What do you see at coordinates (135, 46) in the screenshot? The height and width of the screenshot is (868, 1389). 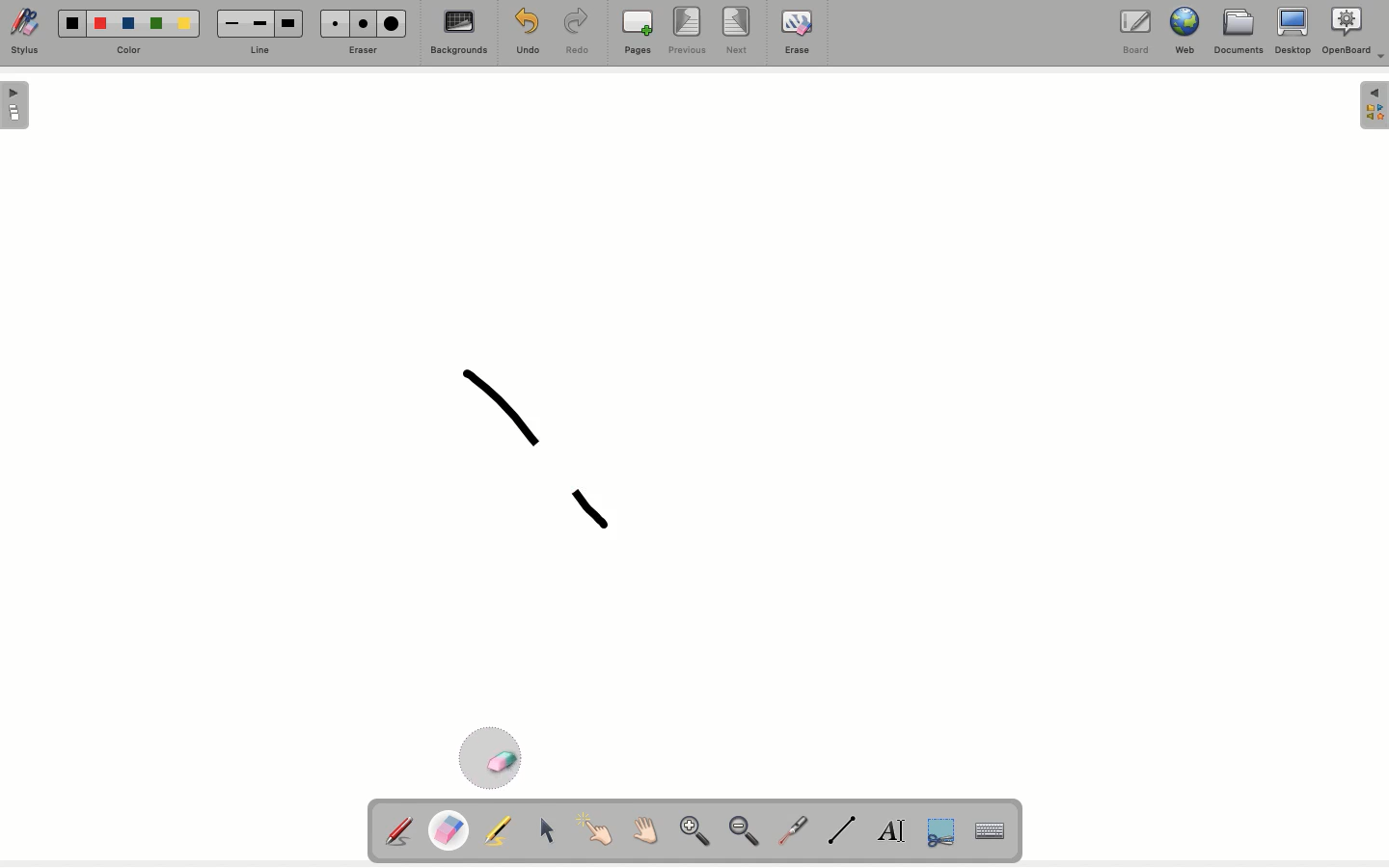 I see `Color` at bounding box center [135, 46].